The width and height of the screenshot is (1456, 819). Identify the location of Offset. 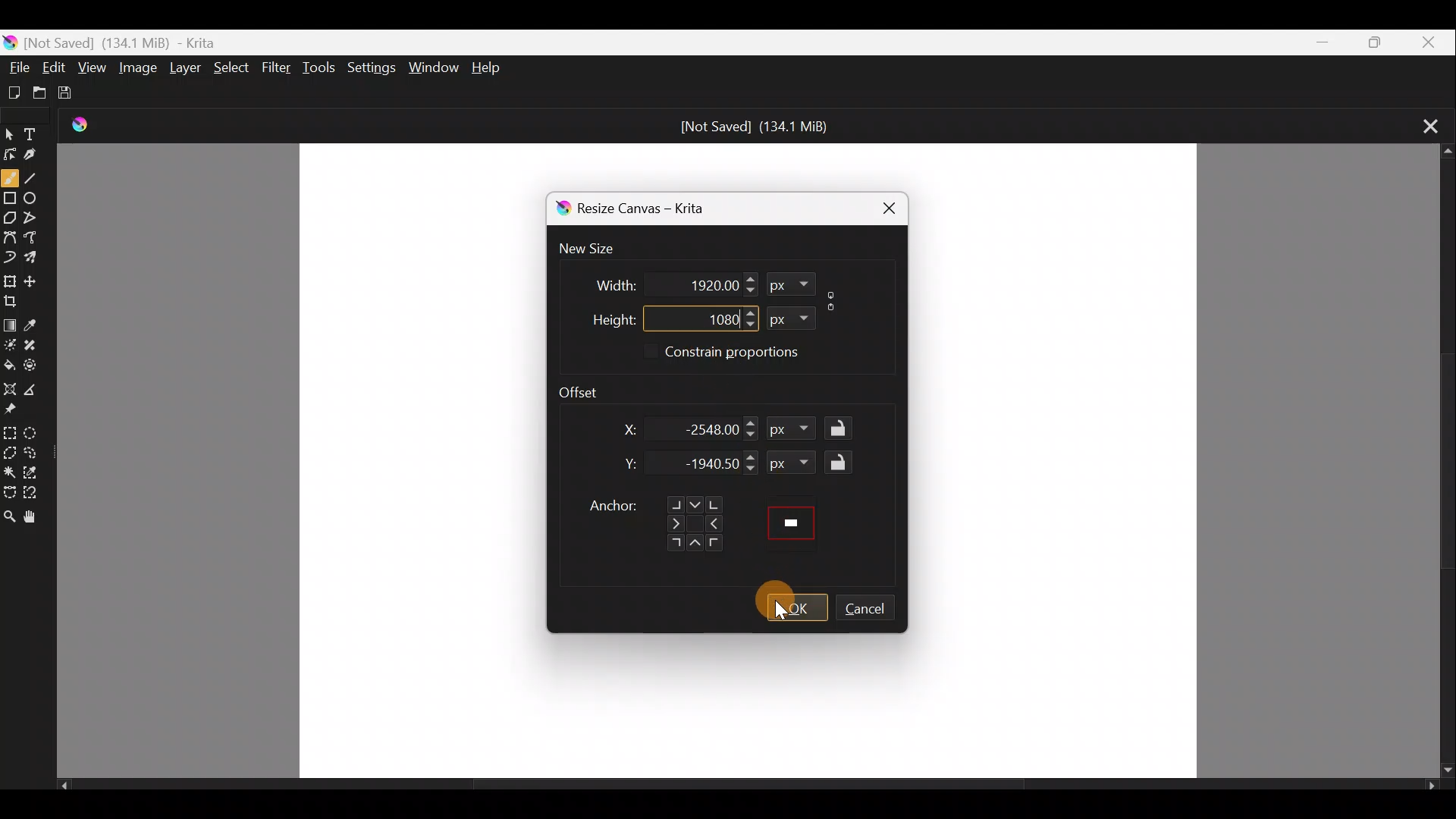
(588, 388).